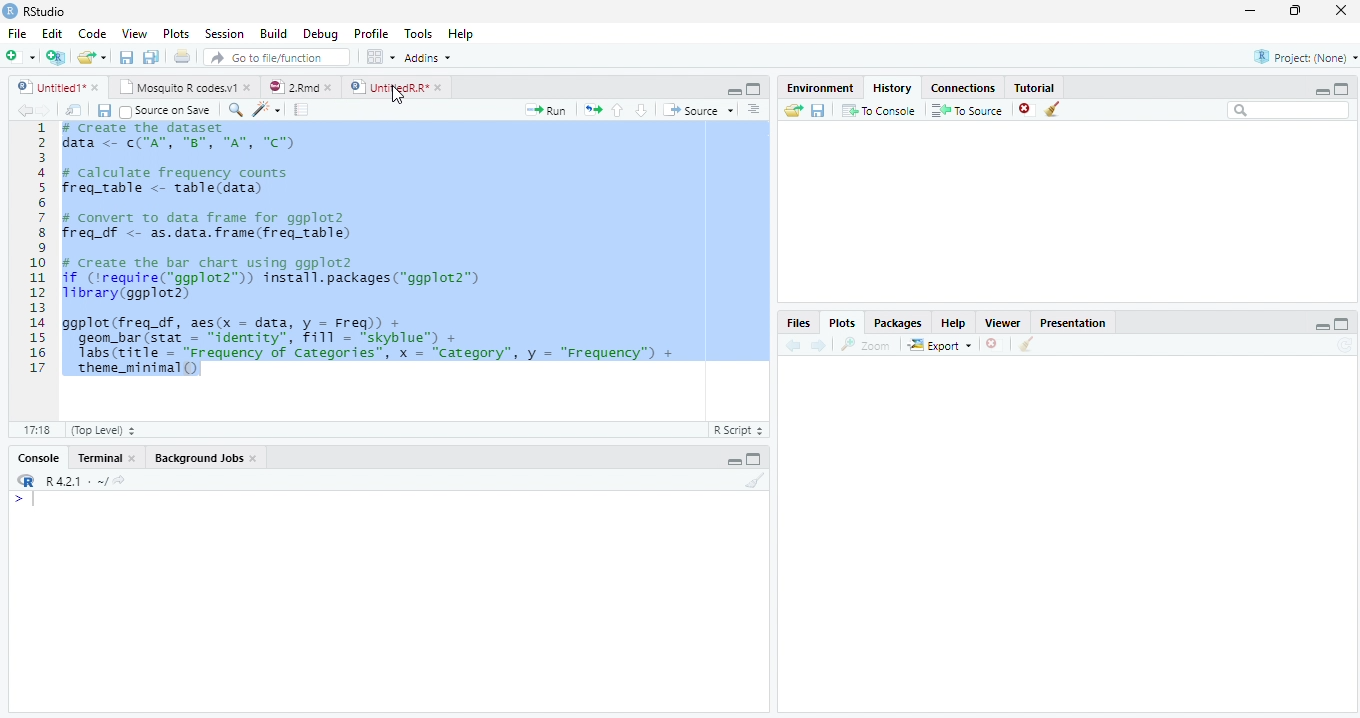 The height and width of the screenshot is (718, 1360). What do you see at coordinates (617, 109) in the screenshot?
I see `Go to the previous section` at bounding box center [617, 109].